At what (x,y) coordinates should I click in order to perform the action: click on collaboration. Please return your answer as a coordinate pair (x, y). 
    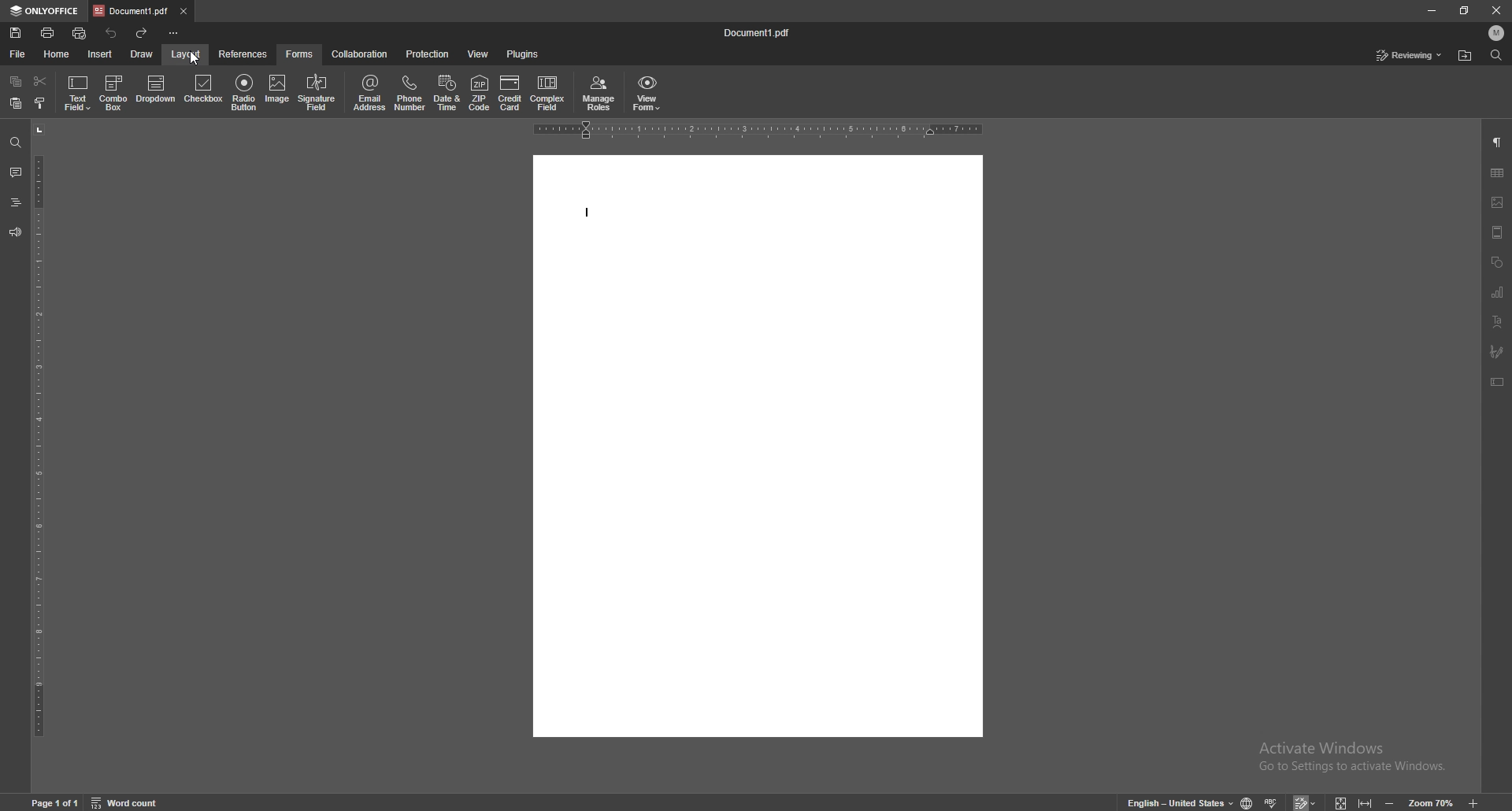
    Looking at the image, I should click on (361, 54).